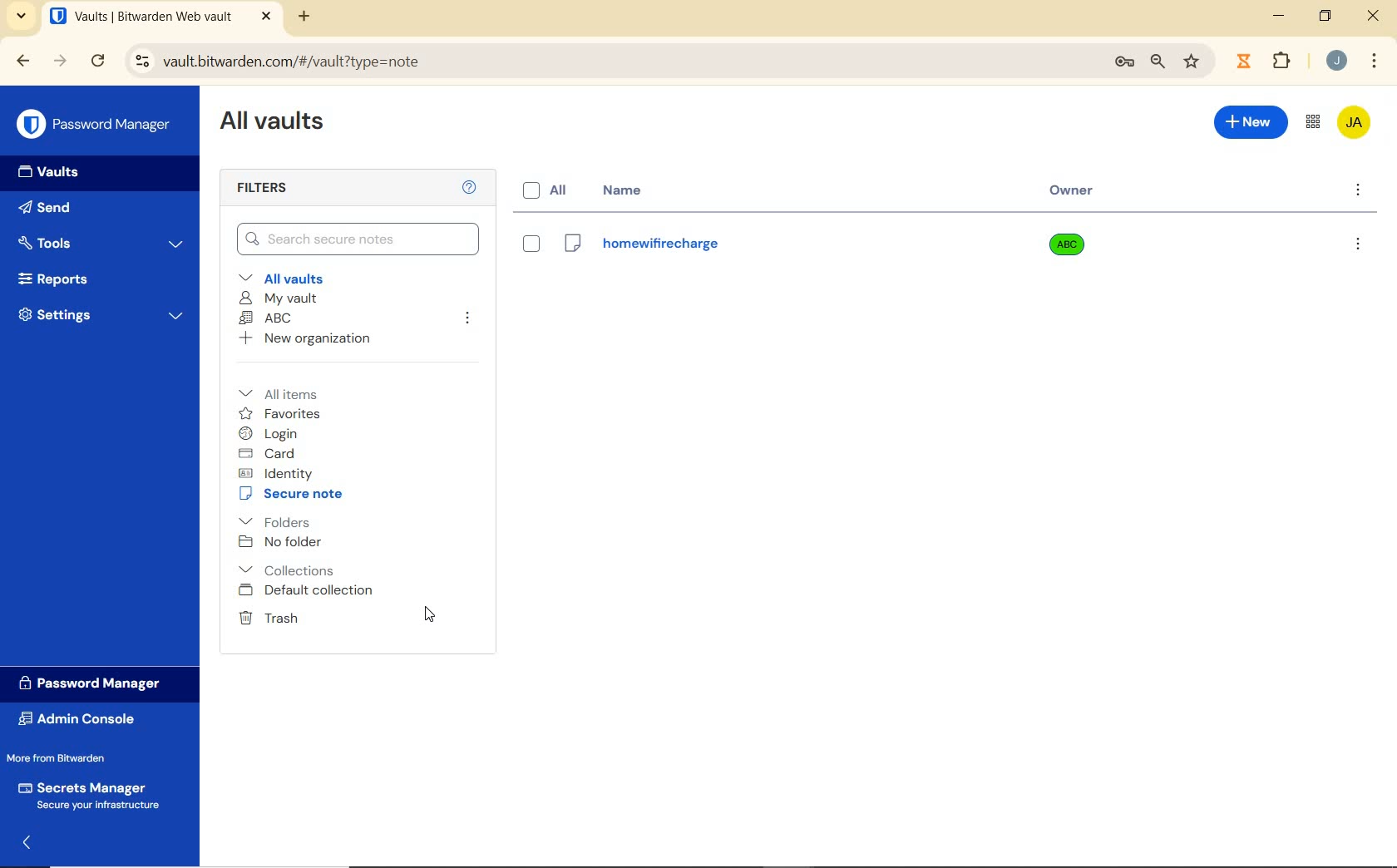 The width and height of the screenshot is (1397, 868). What do you see at coordinates (1335, 60) in the screenshot?
I see `Account` at bounding box center [1335, 60].